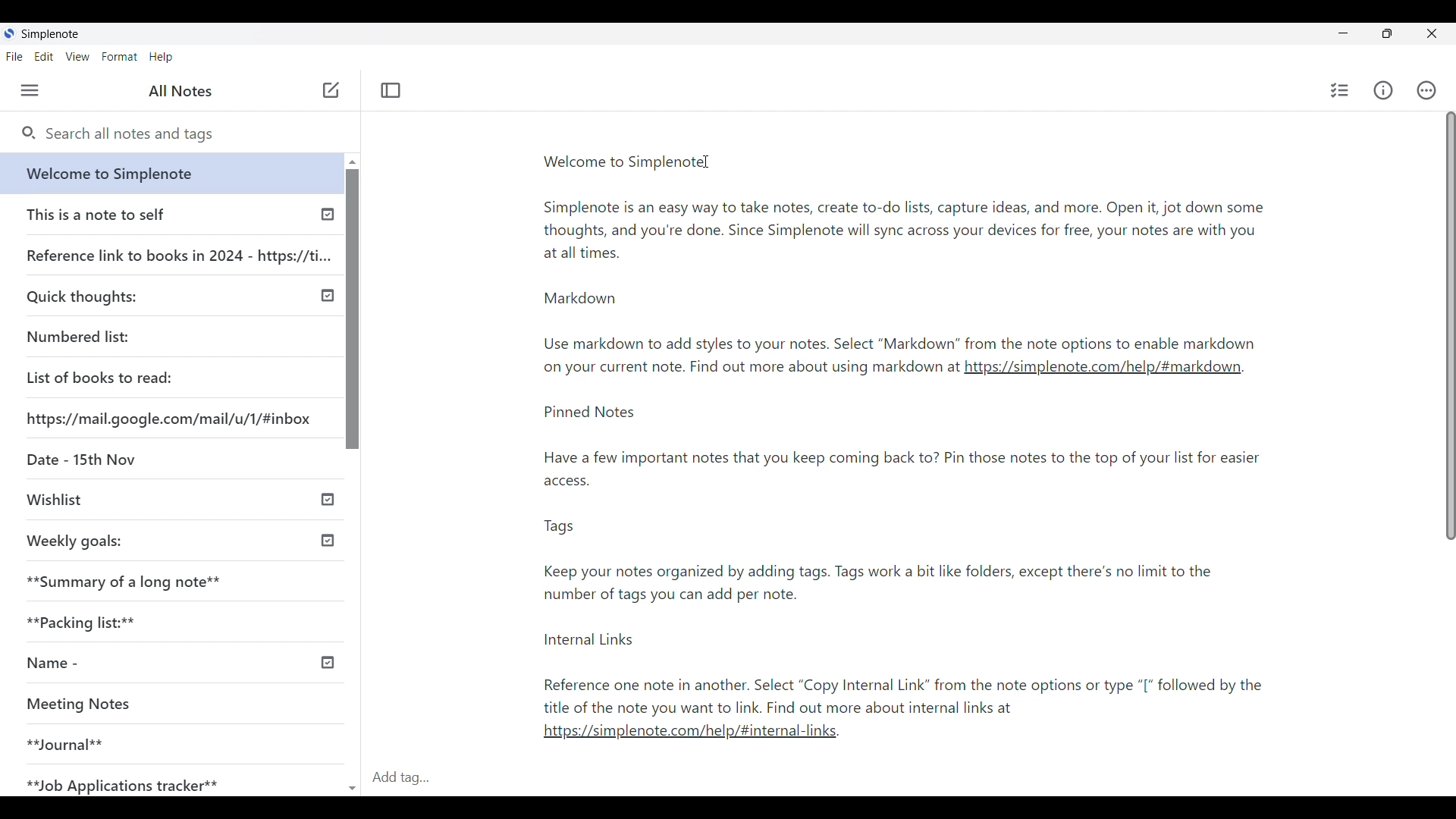  I want to click on Numbered list, so click(77, 337).